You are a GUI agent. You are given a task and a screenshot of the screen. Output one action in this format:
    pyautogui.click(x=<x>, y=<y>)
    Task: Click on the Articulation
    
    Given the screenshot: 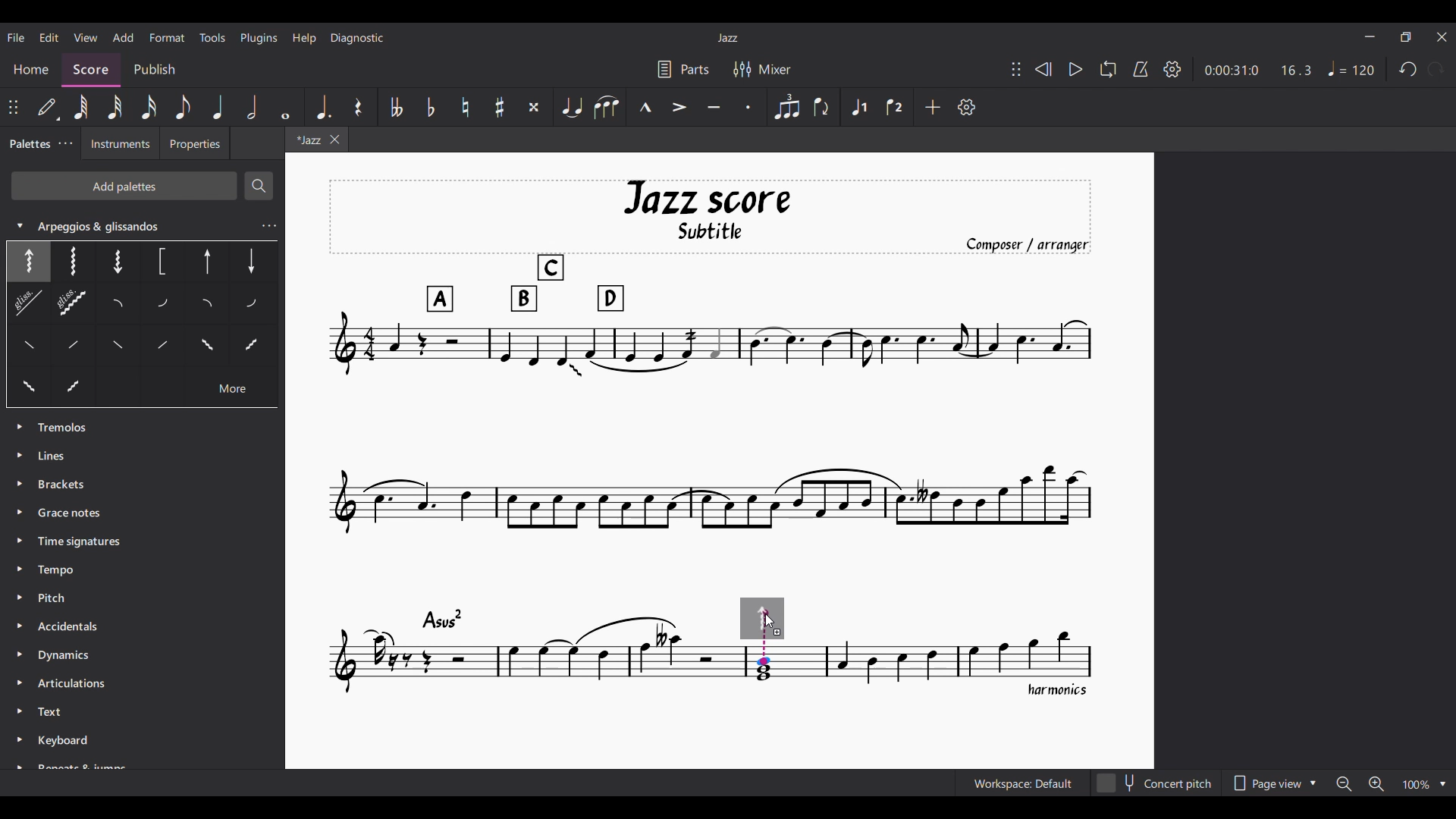 What is the action you would take?
    pyautogui.click(x=76, y=686)
    